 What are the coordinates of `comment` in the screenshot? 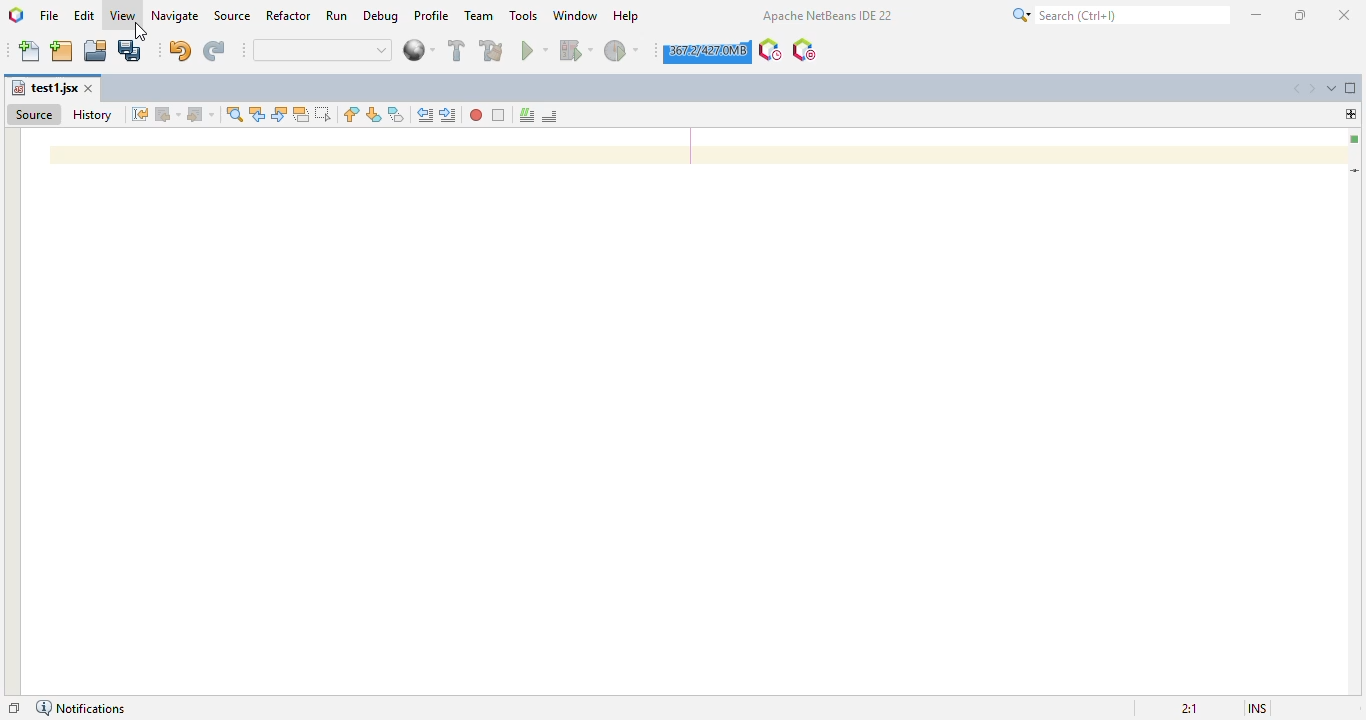 It's located at (527, 115).